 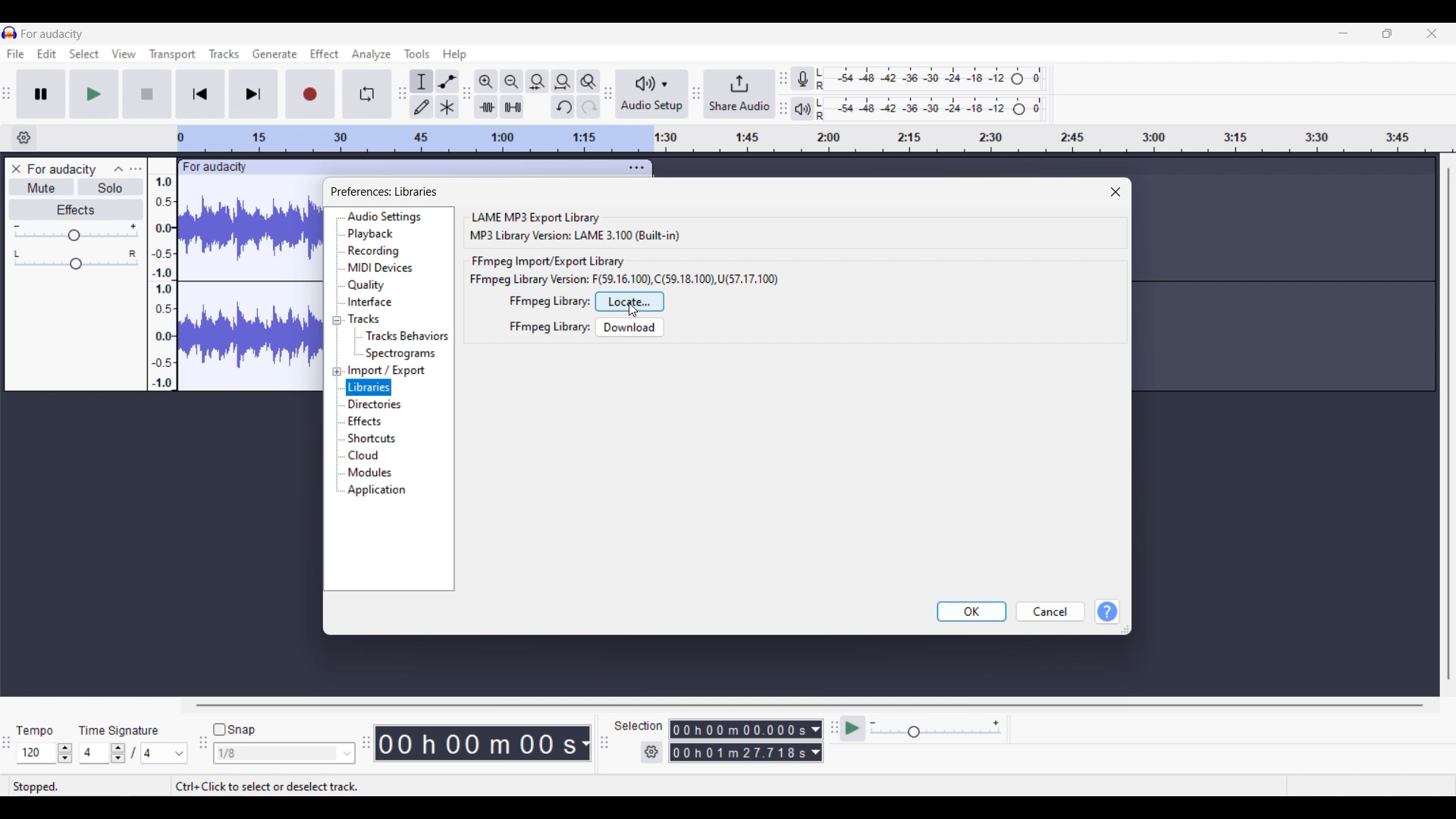 What do you see at coordinates (45, 753) in the screenshot?
I see `Tempo settings` at bounding box center [45, 753].